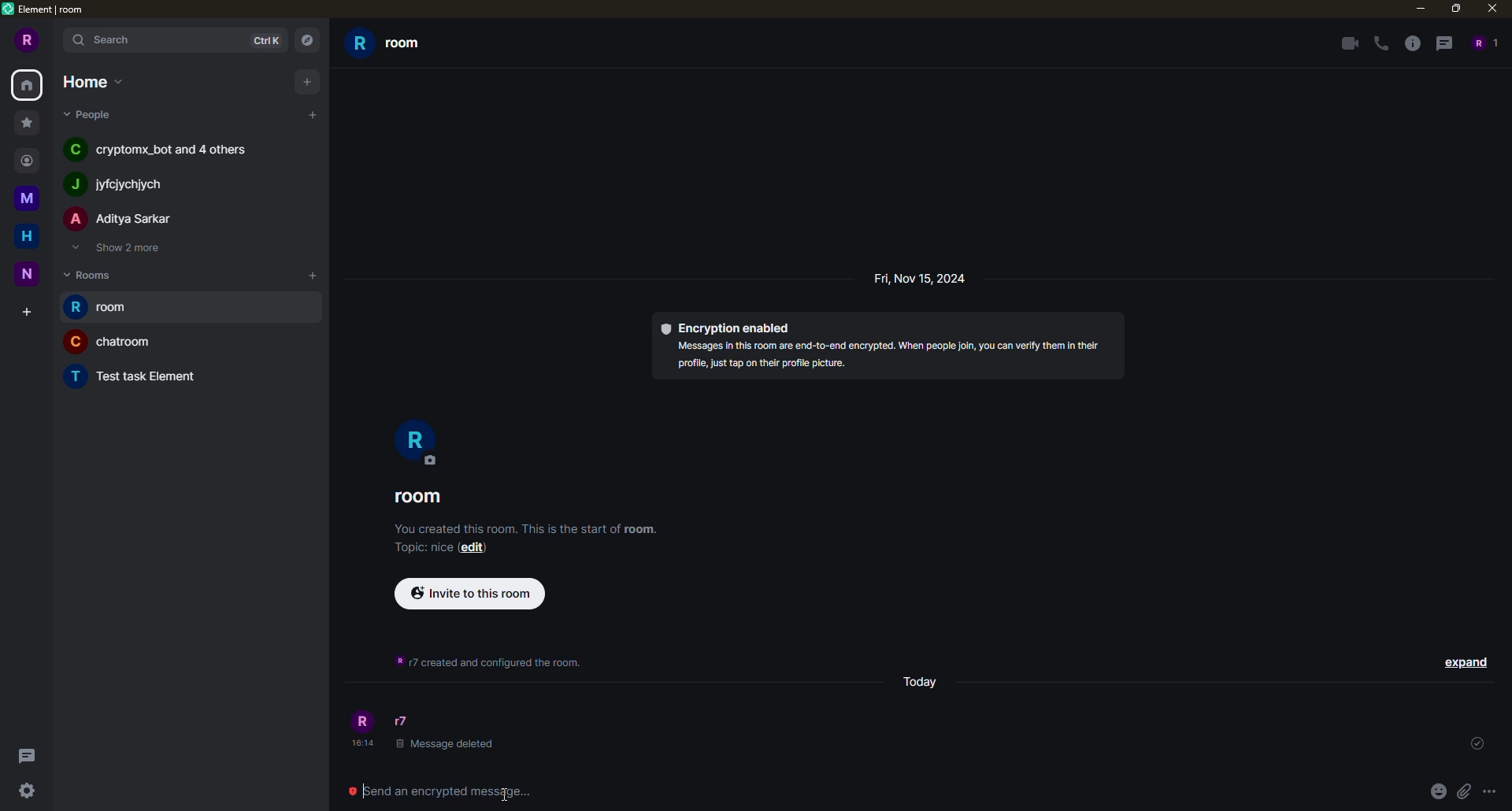 The image size is (1512, 811). I want to click on ctrlK, so click(265, 41).